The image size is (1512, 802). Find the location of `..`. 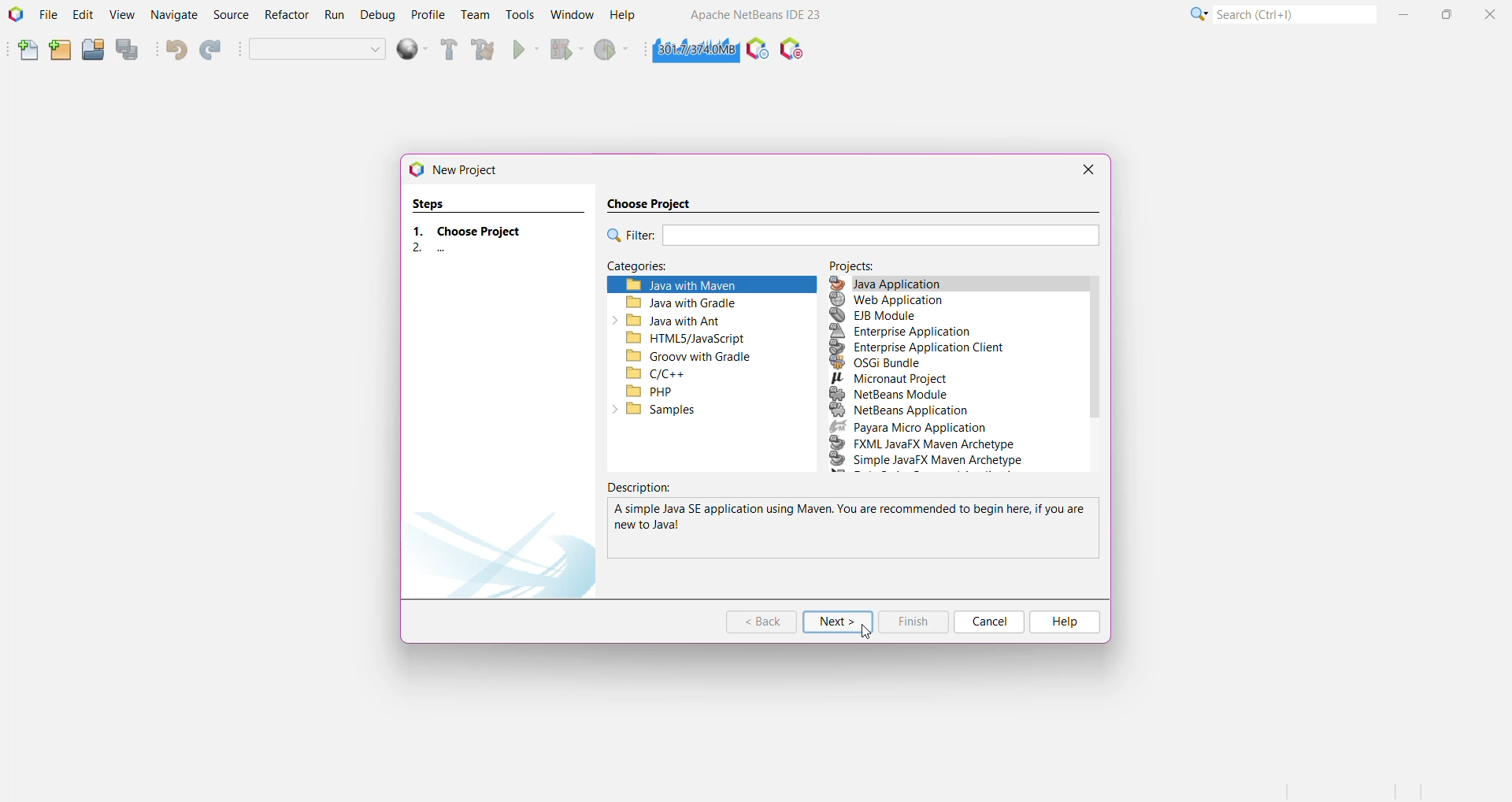

.. is located at coordinates (480, 250).